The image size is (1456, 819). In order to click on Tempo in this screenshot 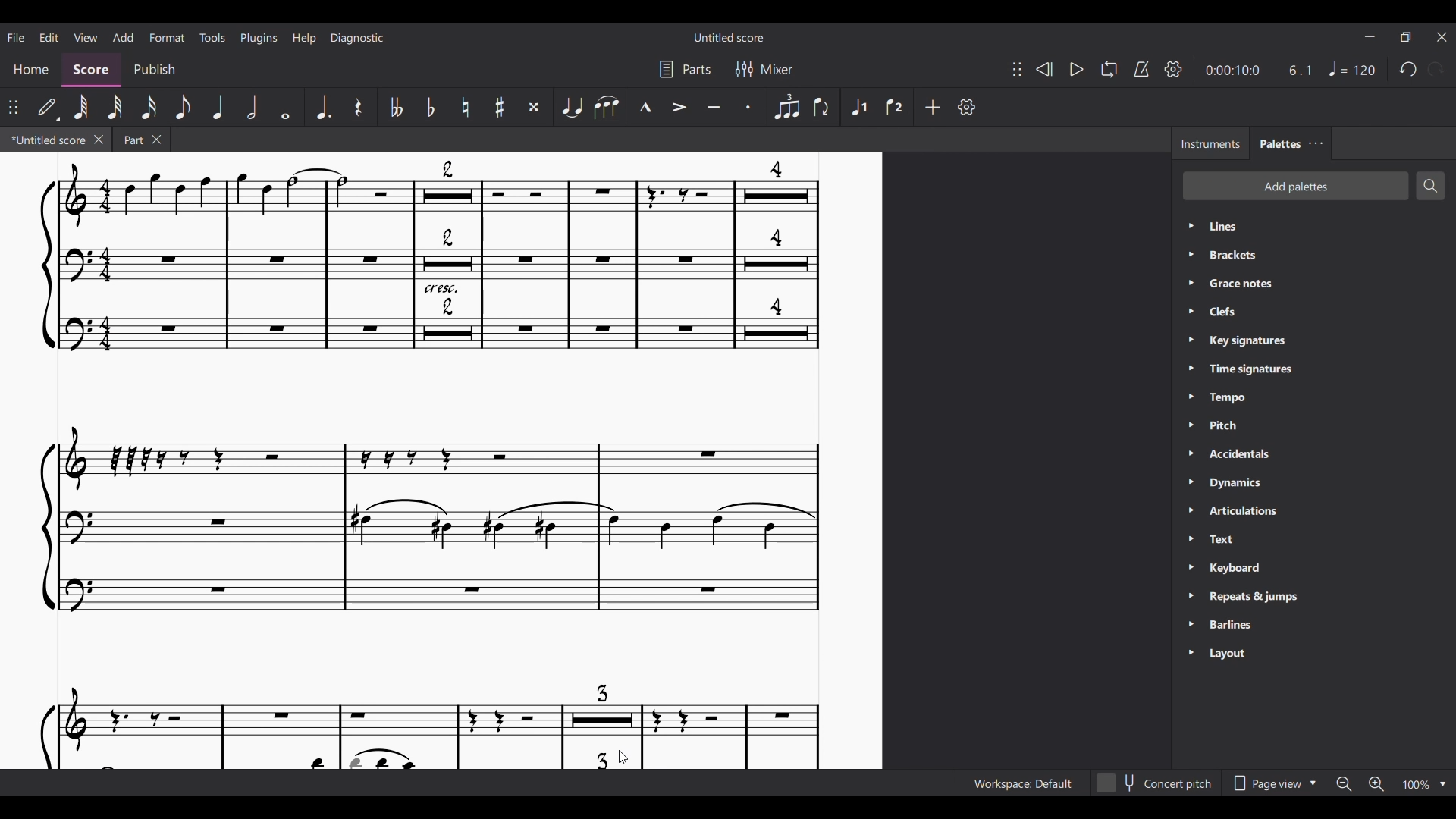, I will do `click(1352, 68)`.